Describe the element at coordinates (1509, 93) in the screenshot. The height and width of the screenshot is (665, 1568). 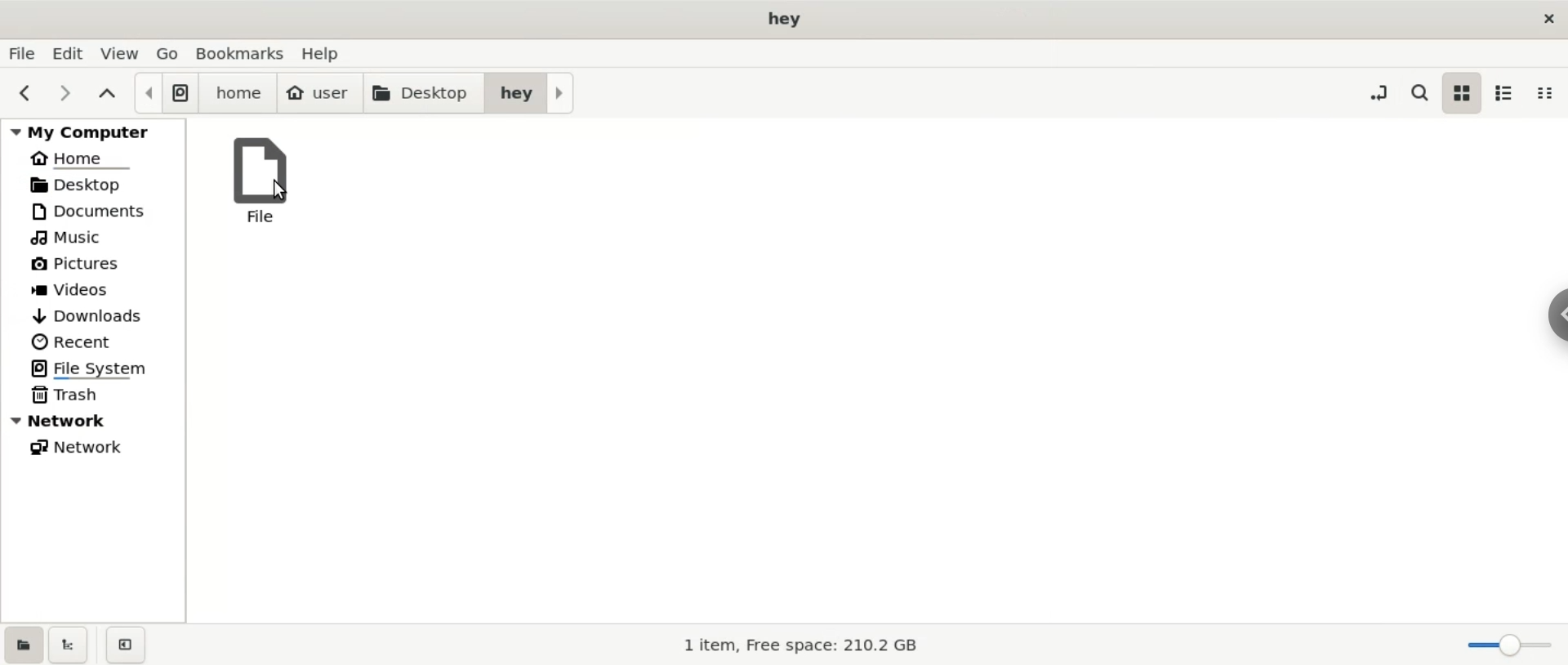
I see `list view` at that location.